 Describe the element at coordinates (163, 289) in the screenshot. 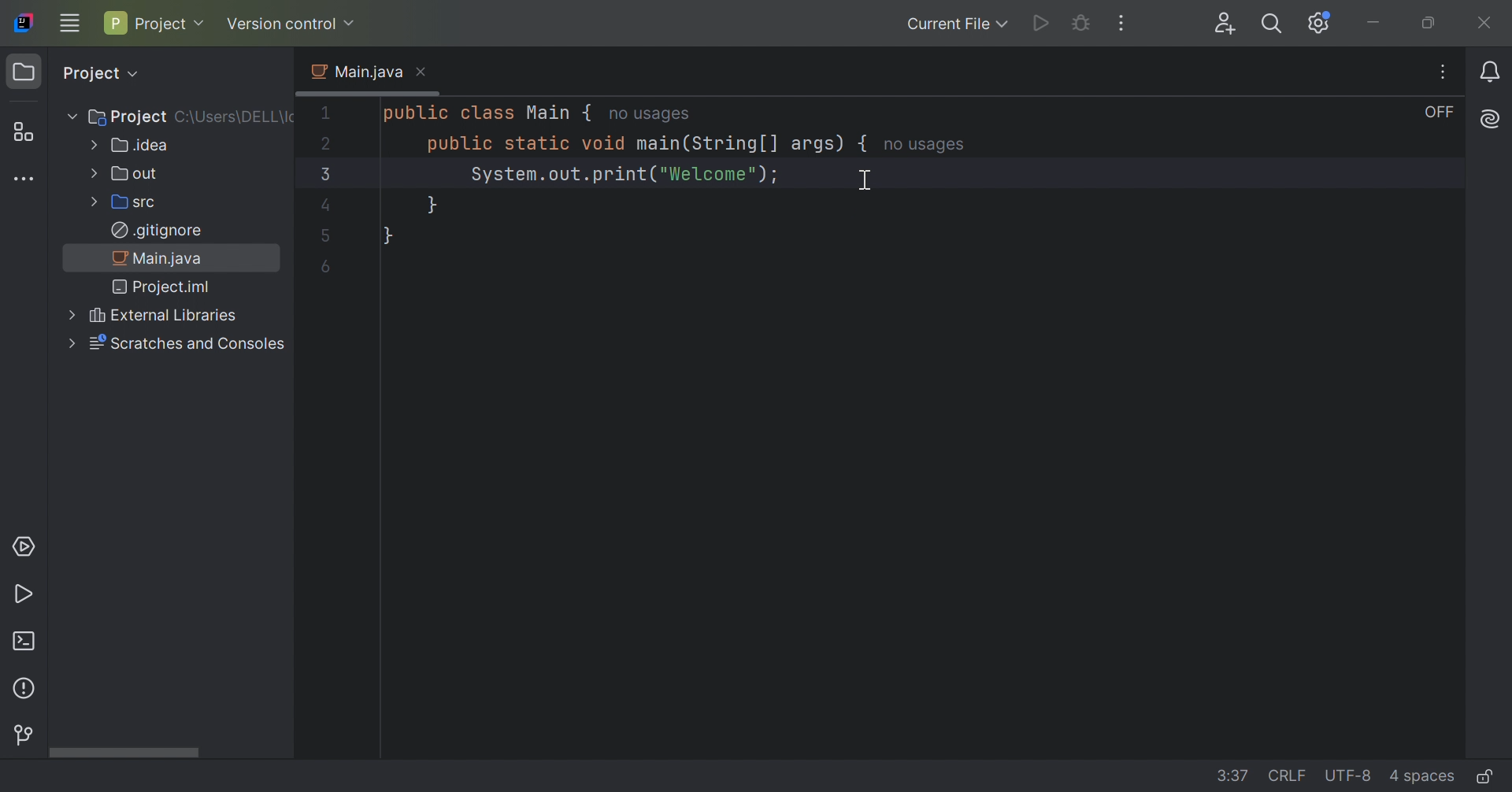

I see `Project.iml` at that location.